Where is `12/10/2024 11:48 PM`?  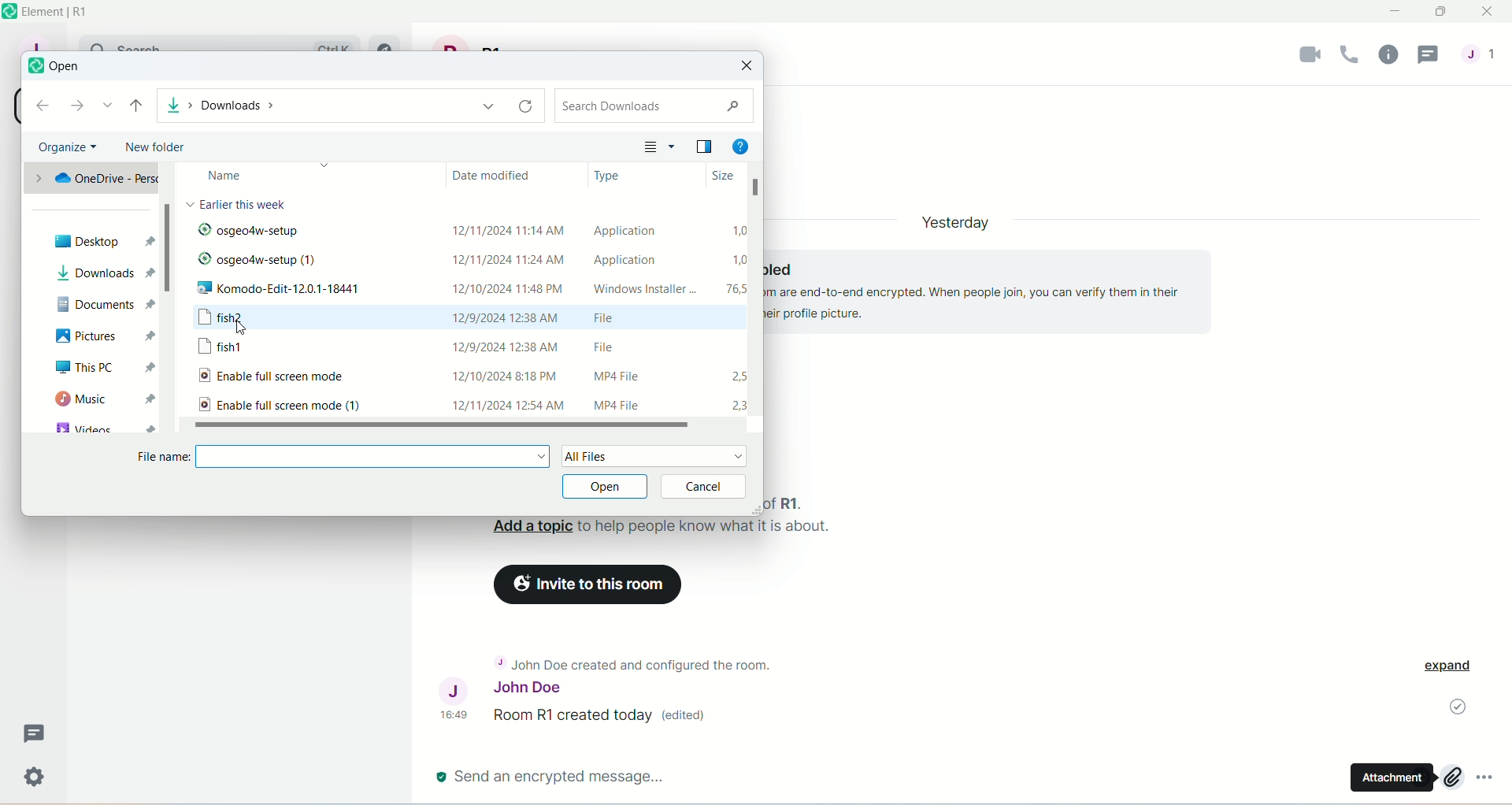 12/10/2024 11:48 PM is located at coordinates (514, 287).